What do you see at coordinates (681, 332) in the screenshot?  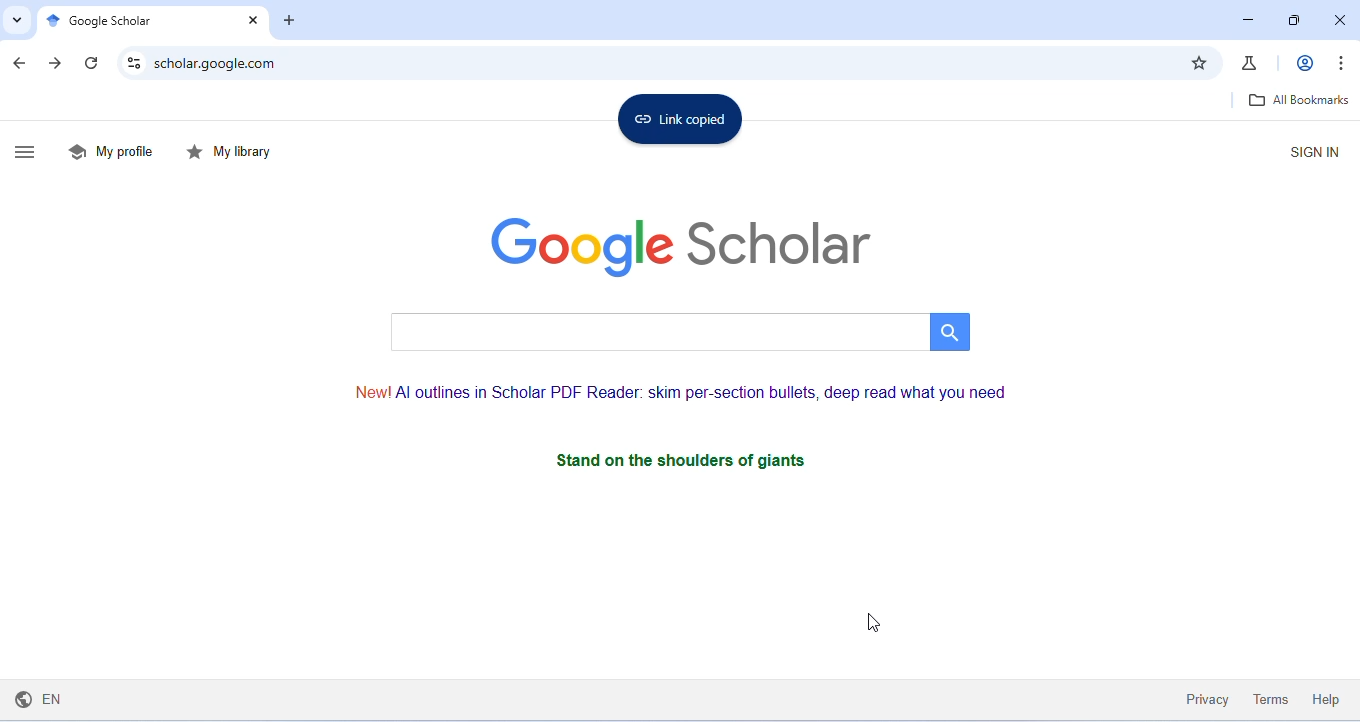 I see `search bar` at bounding box center [681, 332].